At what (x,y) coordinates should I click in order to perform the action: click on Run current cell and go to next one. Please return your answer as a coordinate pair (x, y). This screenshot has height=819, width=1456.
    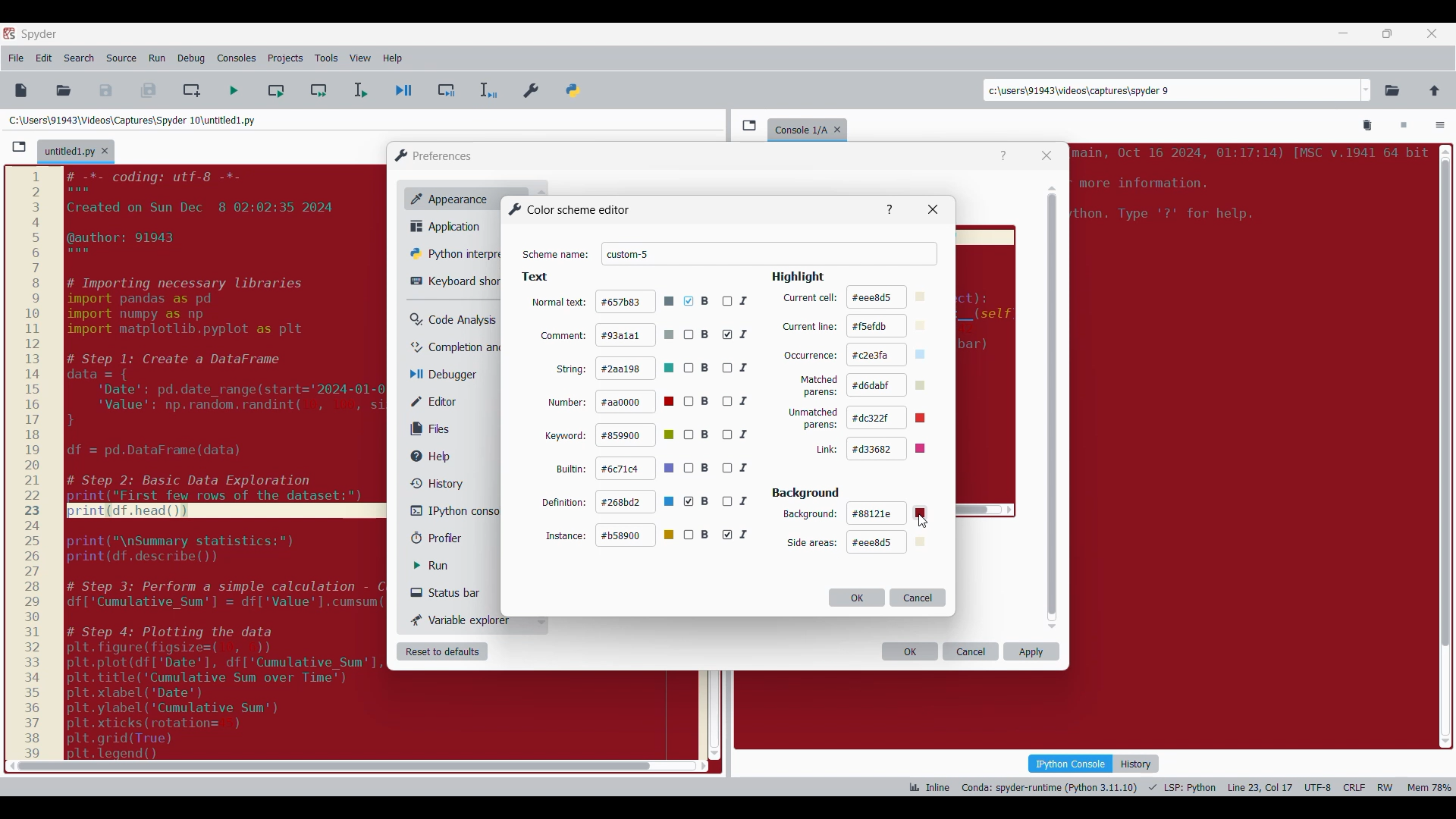
    Looking at the image, I should click on (318, 90).